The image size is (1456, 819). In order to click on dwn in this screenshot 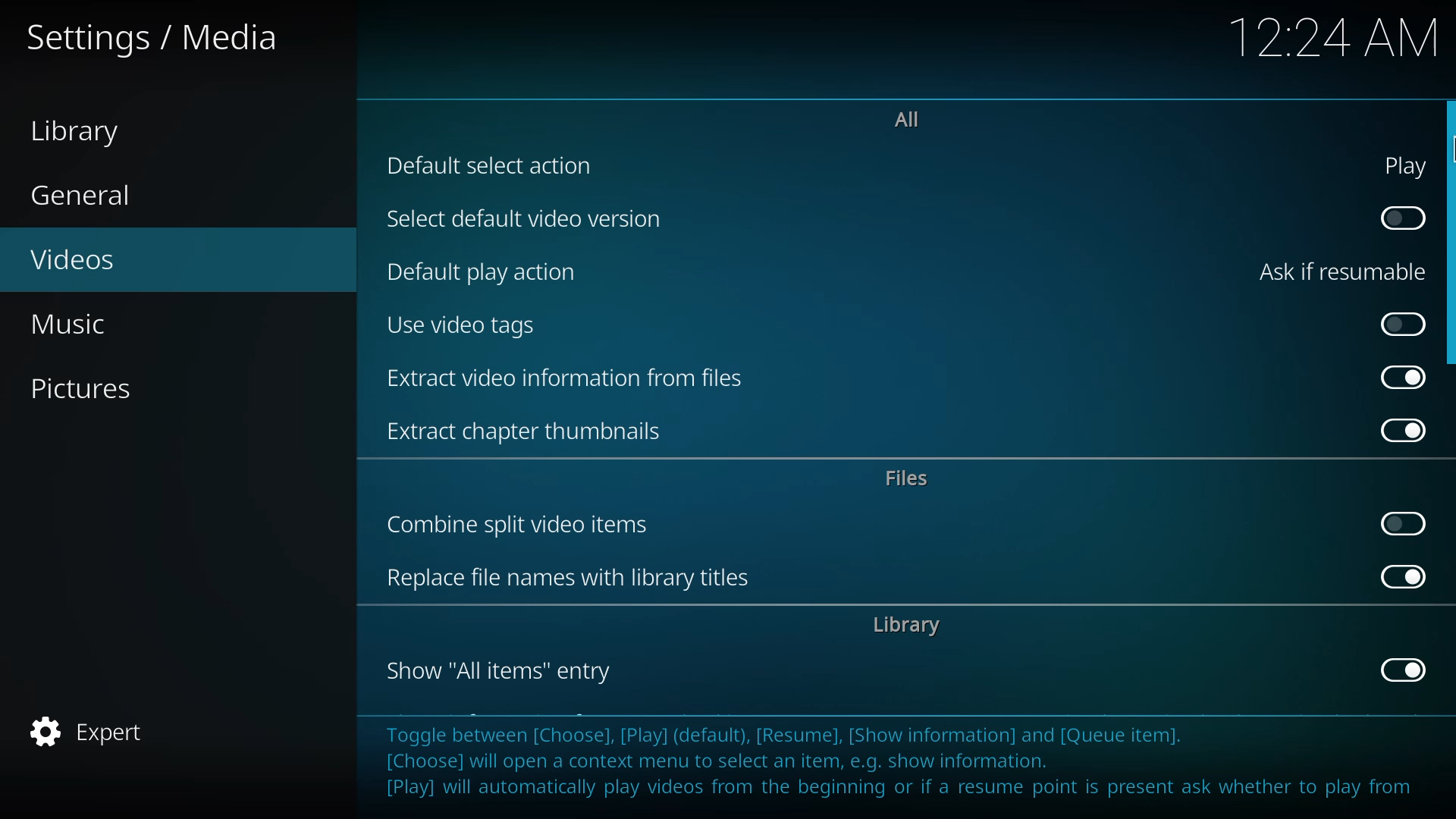, I will do `click(1451, 231)`.